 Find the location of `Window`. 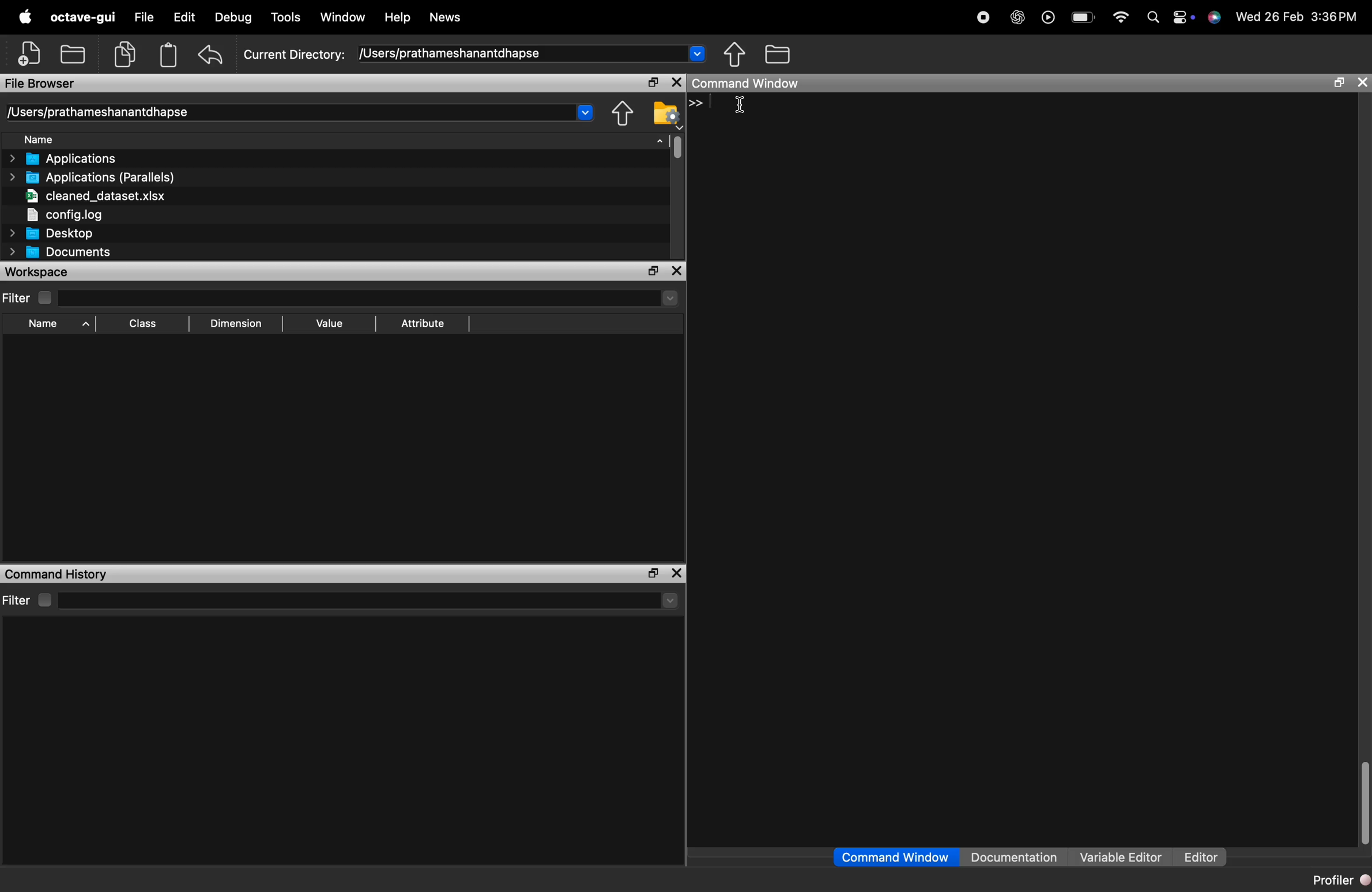

Window is located at coordinates (339, 18).